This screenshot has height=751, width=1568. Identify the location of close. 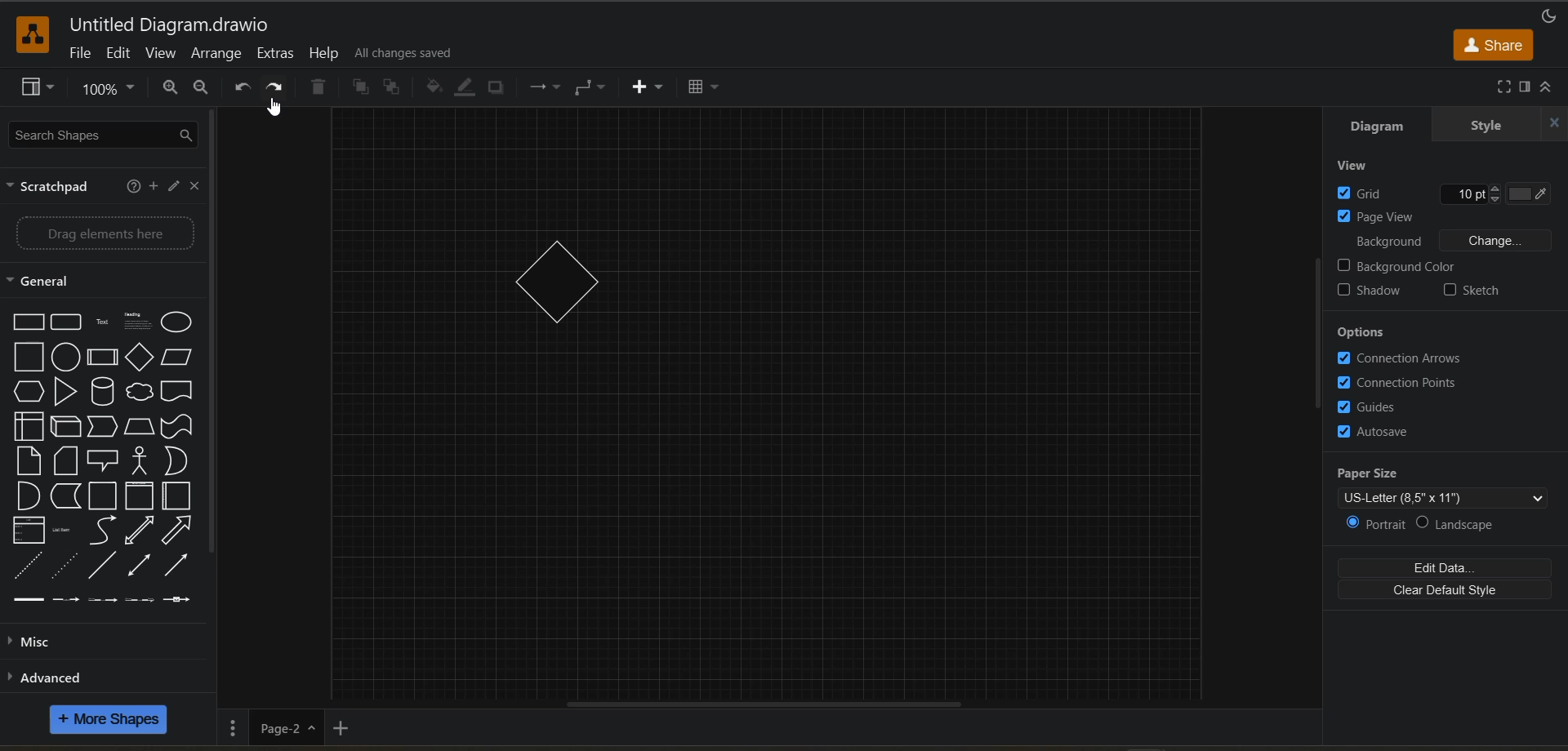
(194, 186).